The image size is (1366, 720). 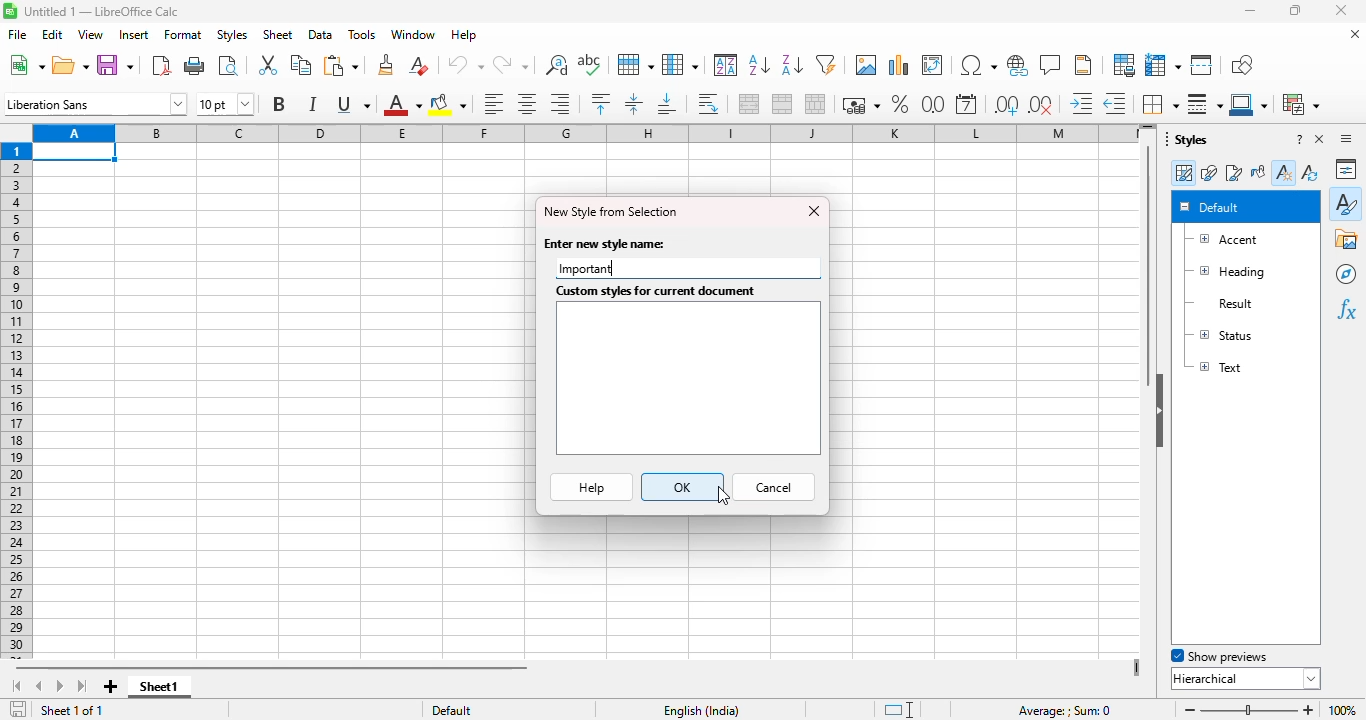 What do you see at coordinates (96, 104) in the screenshot?
I see `font name` at bounding box center [96, 104].